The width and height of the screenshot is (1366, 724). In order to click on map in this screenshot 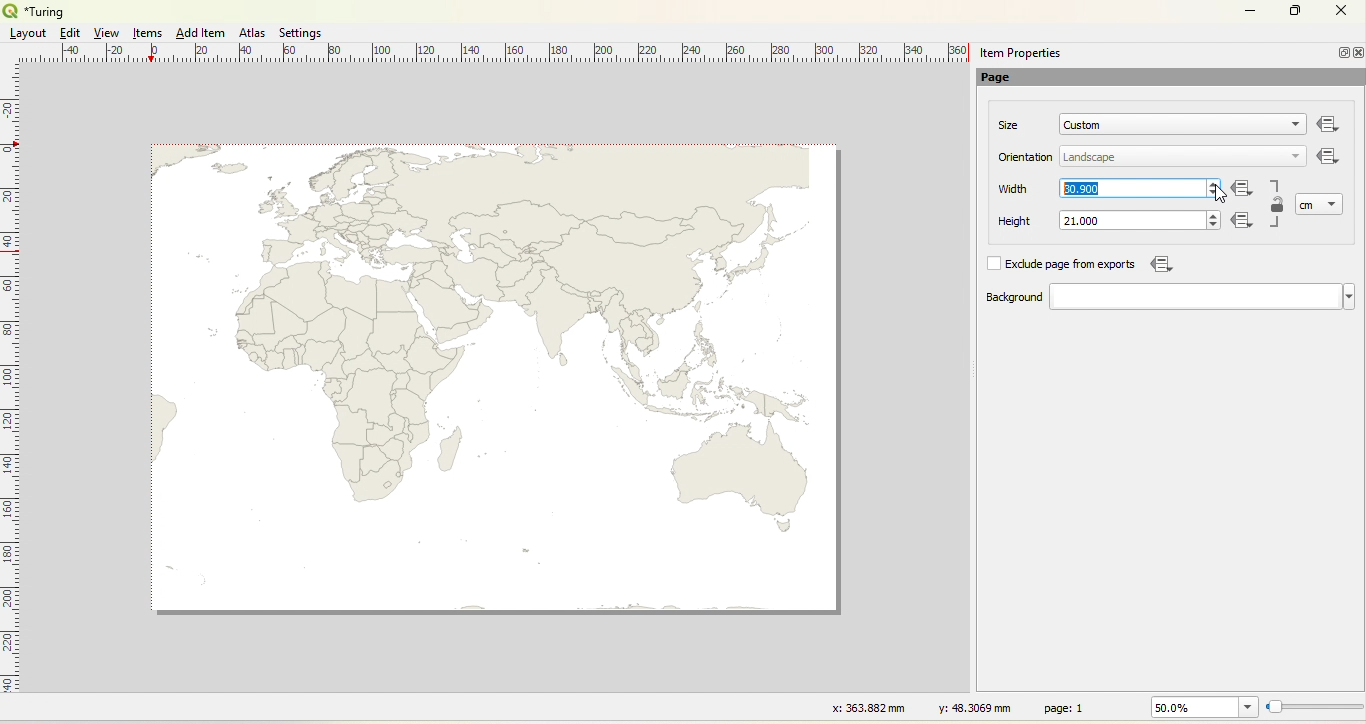, I will do `click(500, 383)`.